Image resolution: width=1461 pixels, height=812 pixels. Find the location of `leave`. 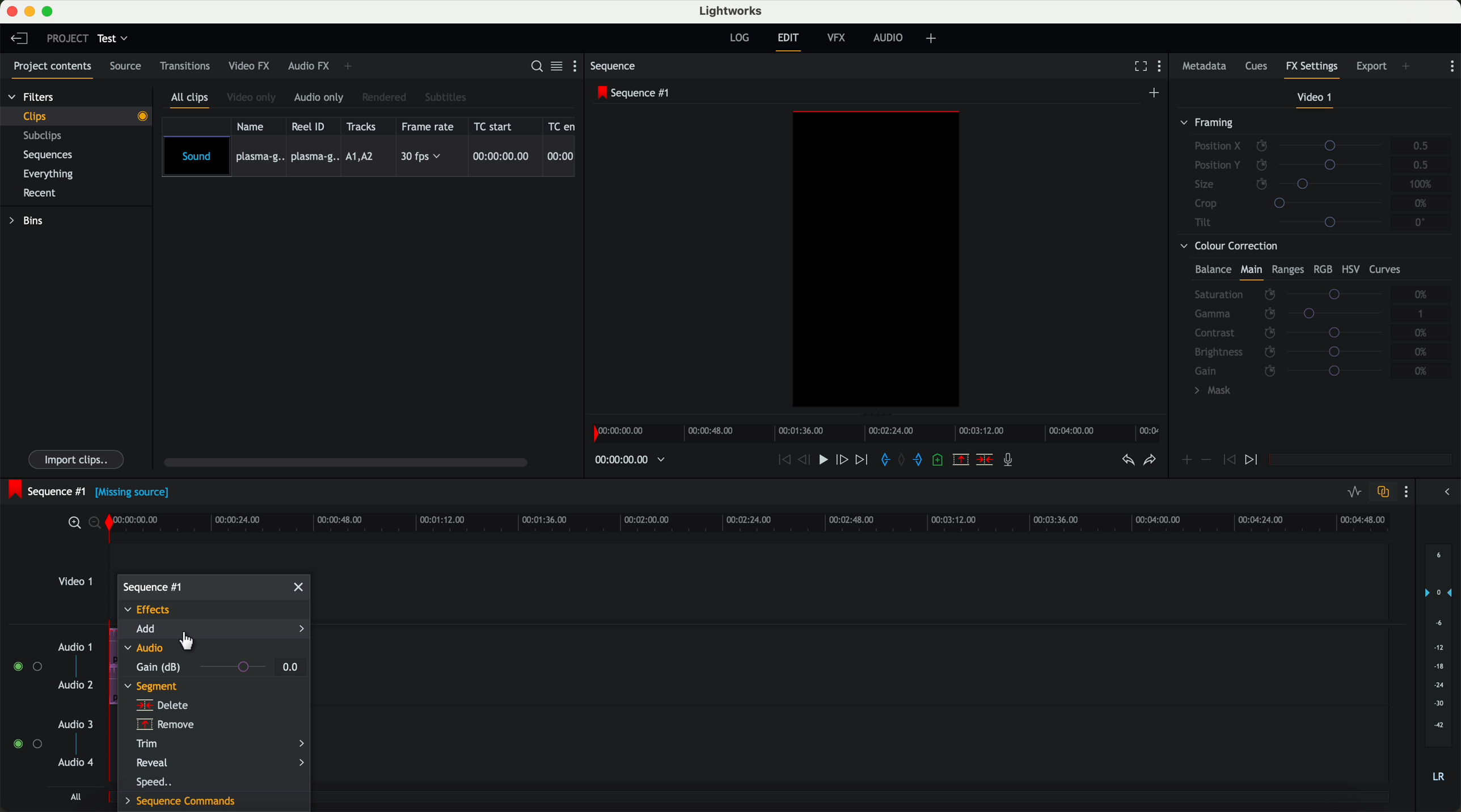

leave is located at coordinates (22, 41).